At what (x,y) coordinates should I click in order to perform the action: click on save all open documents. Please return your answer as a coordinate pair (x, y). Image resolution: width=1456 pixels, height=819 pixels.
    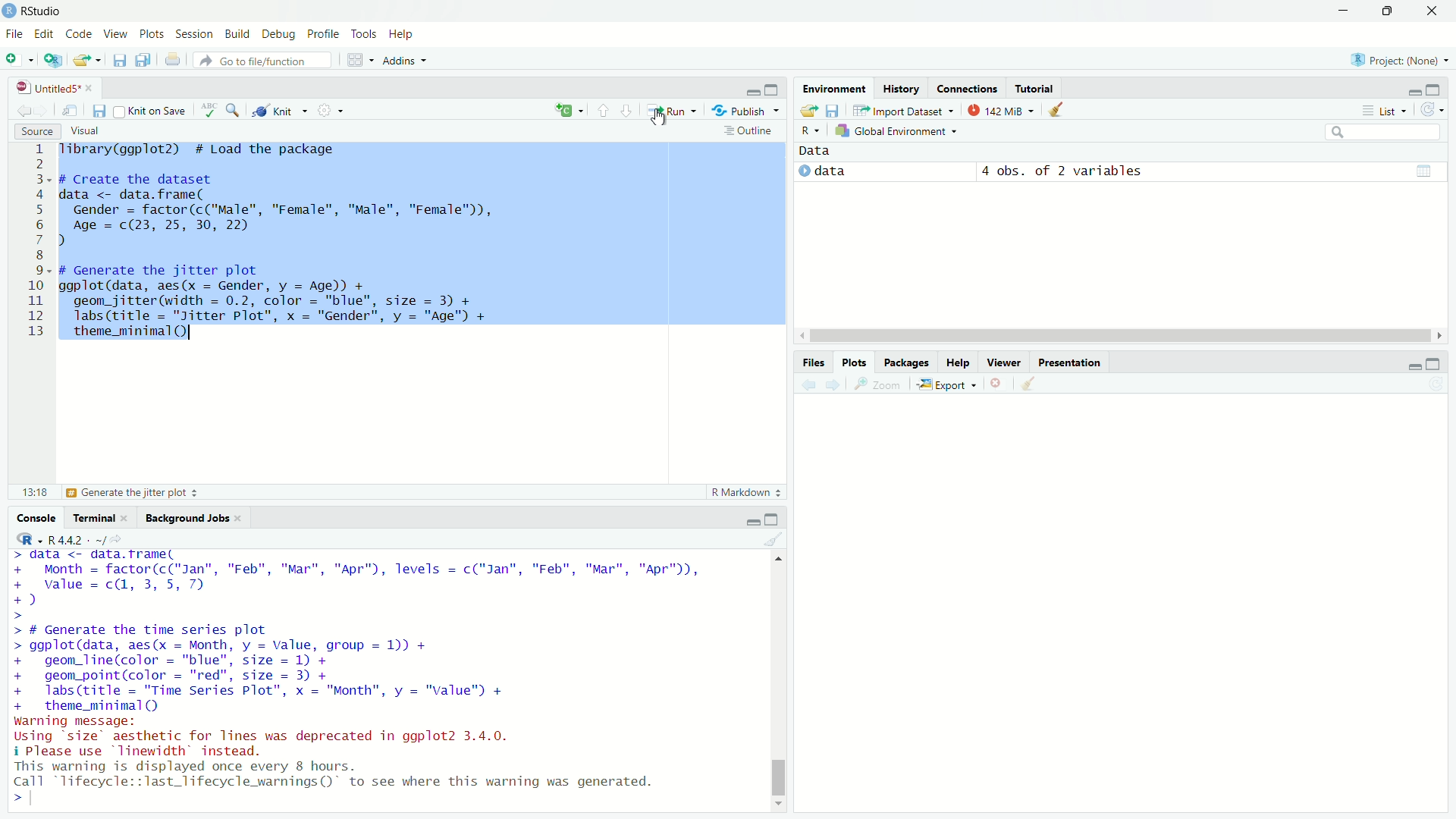
    Looking at the image, I should click on (145, 58).